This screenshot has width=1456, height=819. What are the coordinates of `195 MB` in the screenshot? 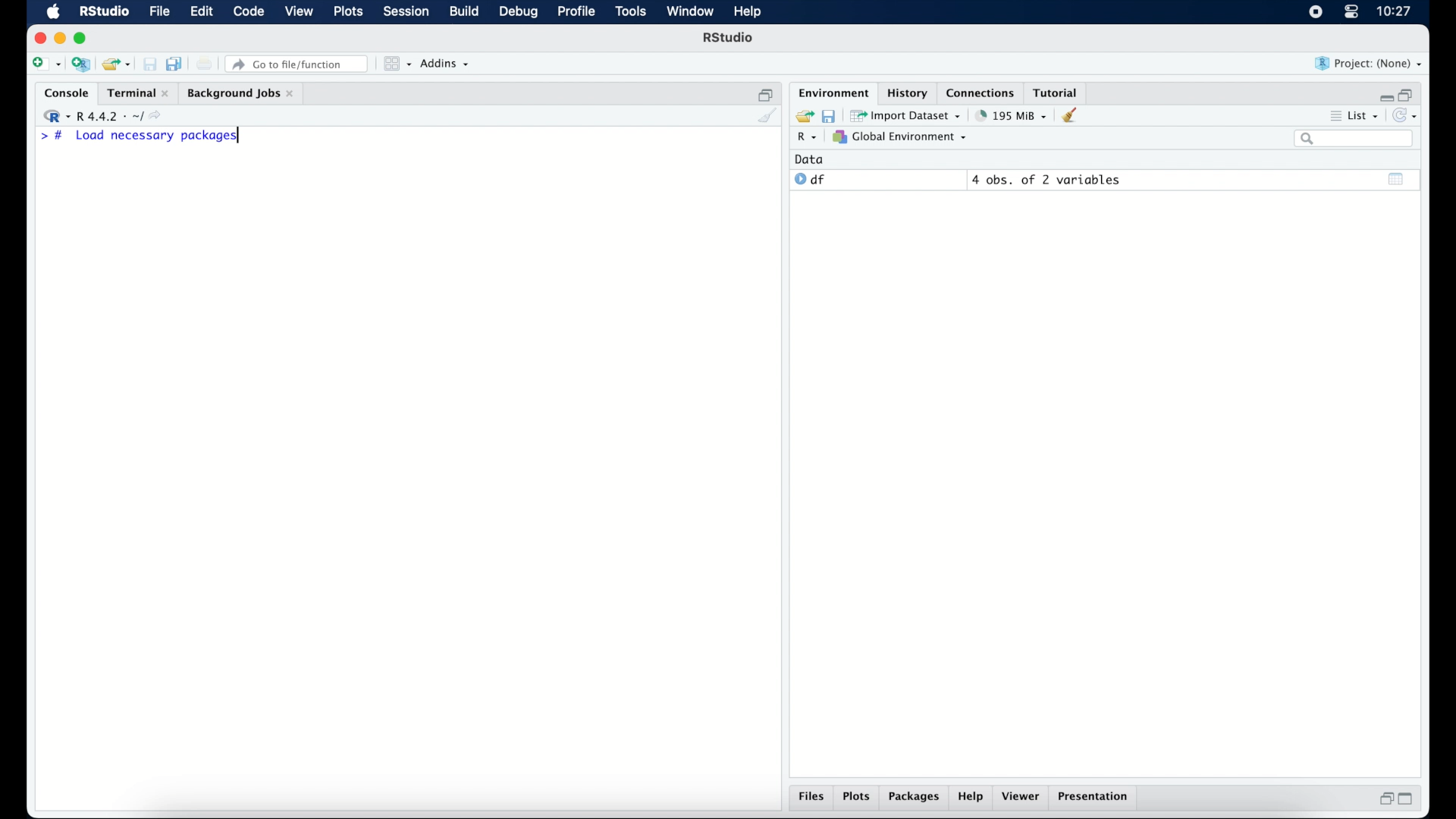 It's located at (1010, 115).